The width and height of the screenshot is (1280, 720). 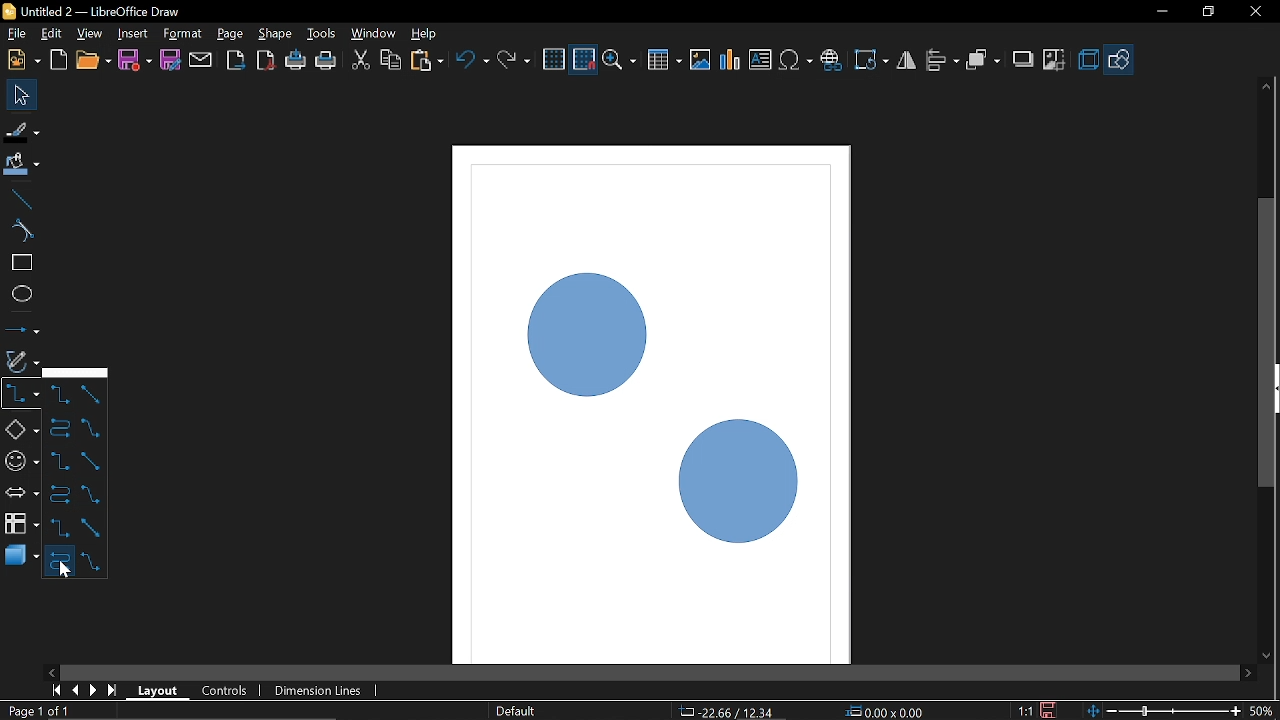 I want to click on Move up, so click(x=1267, y=86).